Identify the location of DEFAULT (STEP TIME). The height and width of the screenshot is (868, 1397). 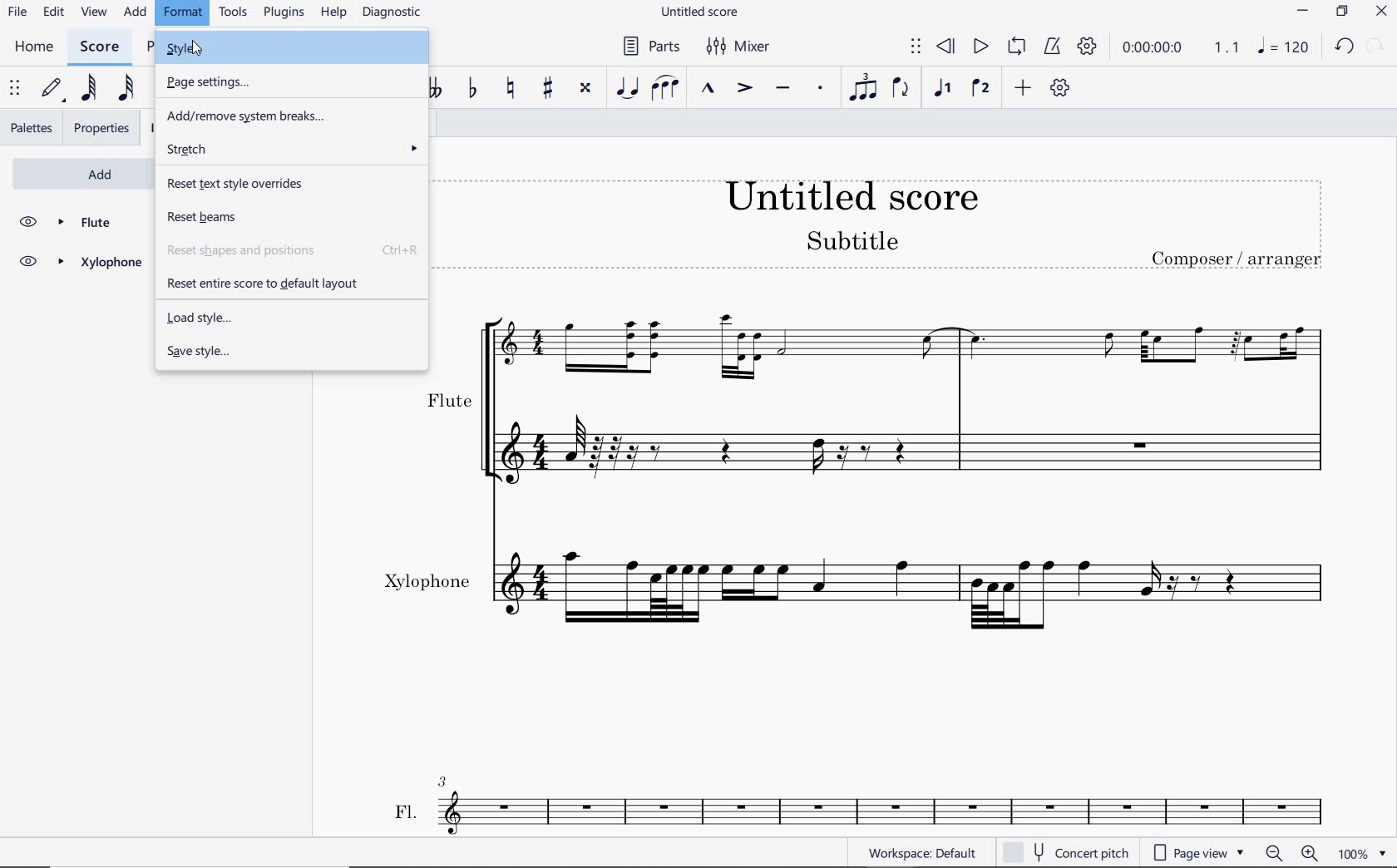
(52, 91).